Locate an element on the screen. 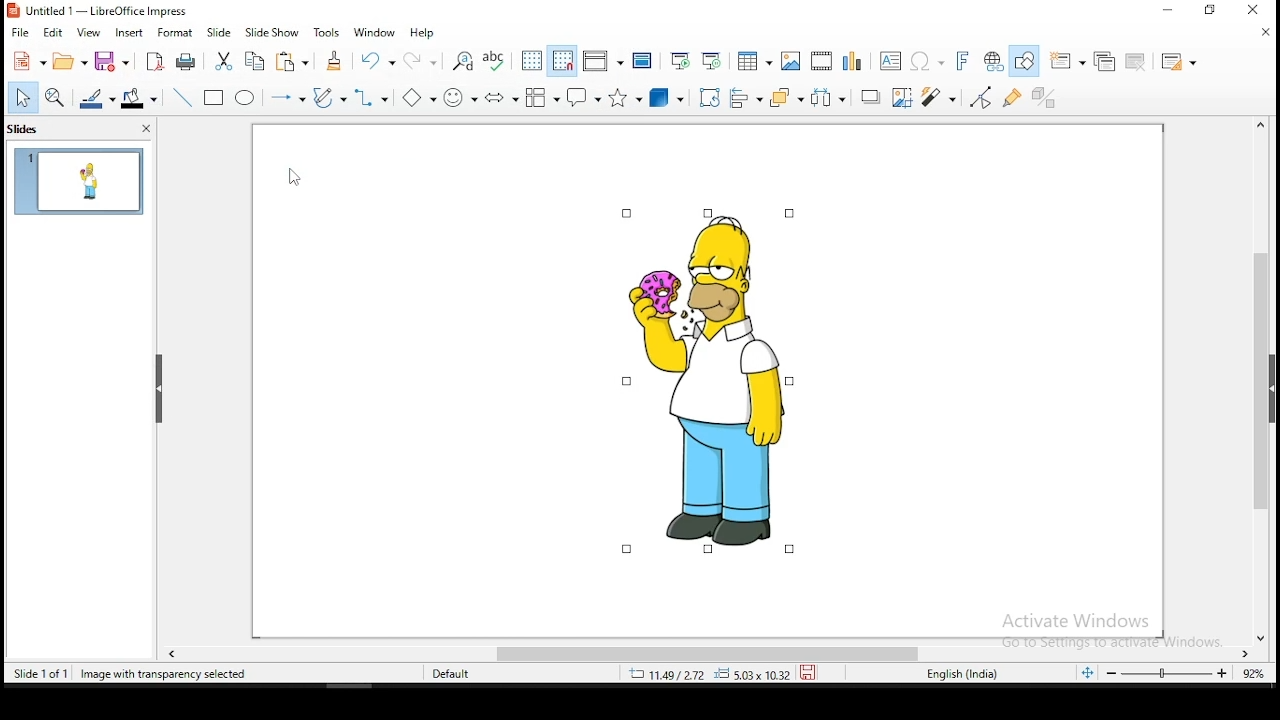  new slide is located at coordinates (1069, 62).